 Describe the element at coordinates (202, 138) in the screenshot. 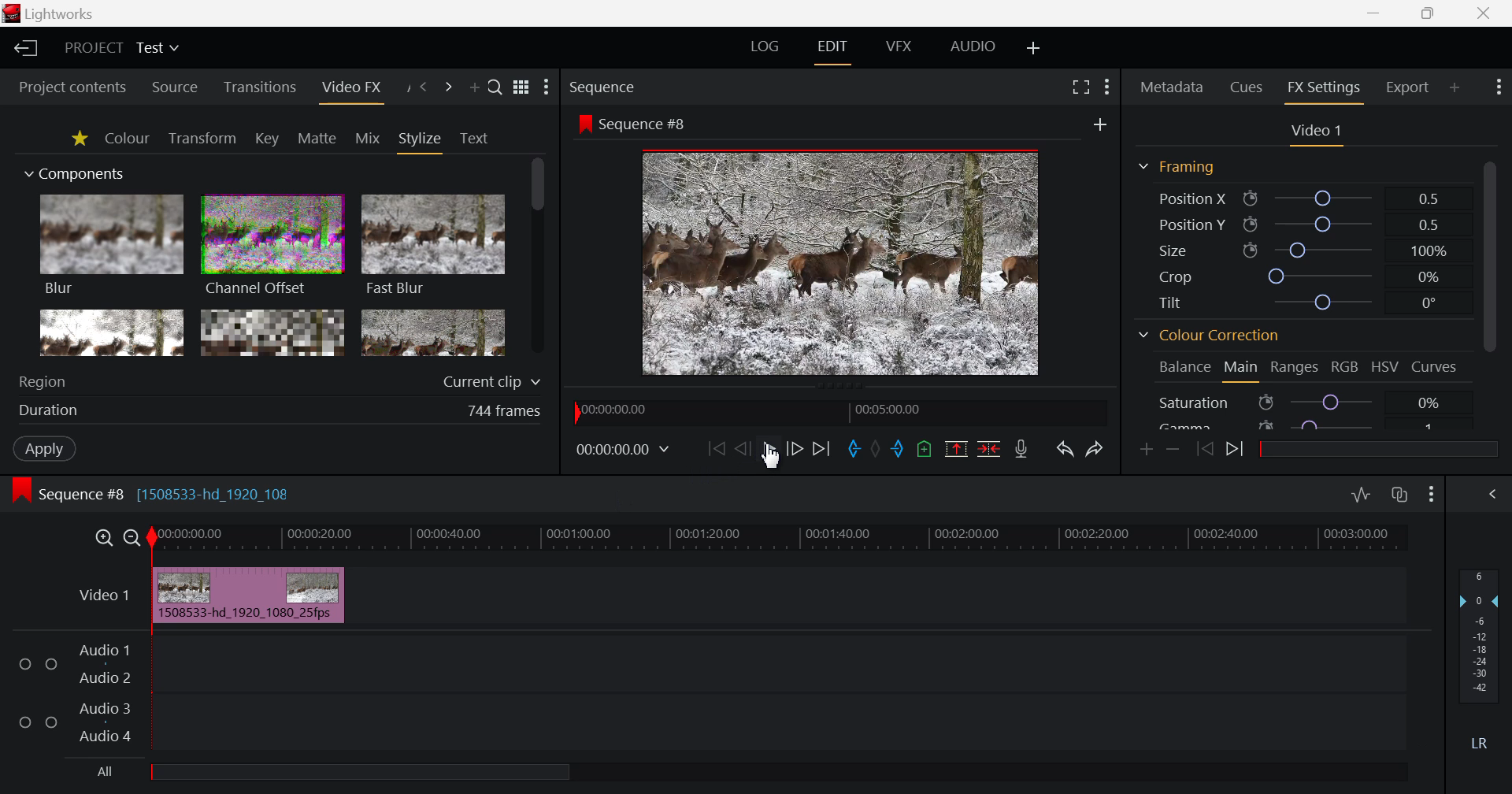

I see `Transform` at that location.